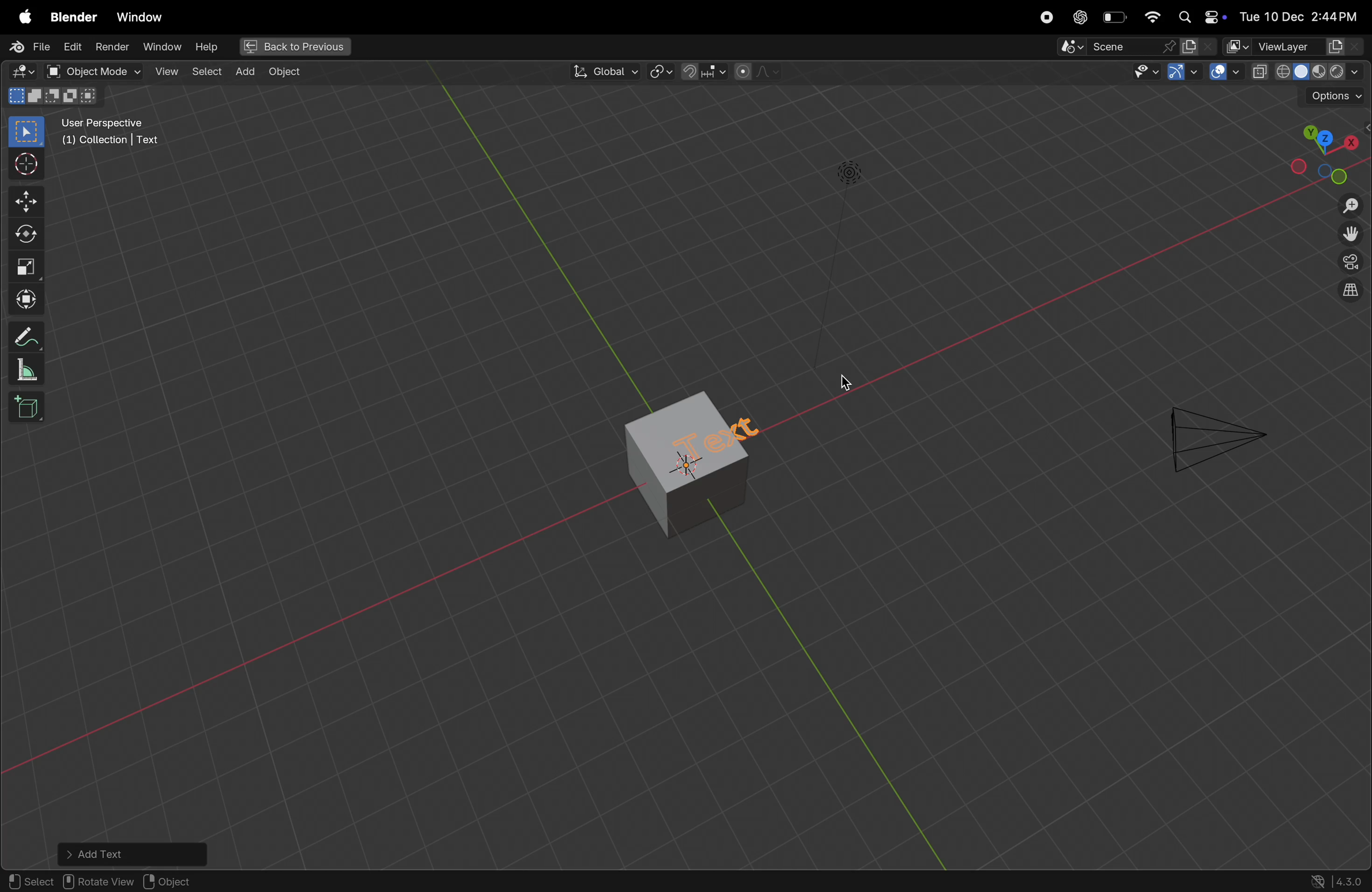  What do you see at coordinates (1328, 151) in the screenshot?
I see `view point` at bounding box center [1328, 151].